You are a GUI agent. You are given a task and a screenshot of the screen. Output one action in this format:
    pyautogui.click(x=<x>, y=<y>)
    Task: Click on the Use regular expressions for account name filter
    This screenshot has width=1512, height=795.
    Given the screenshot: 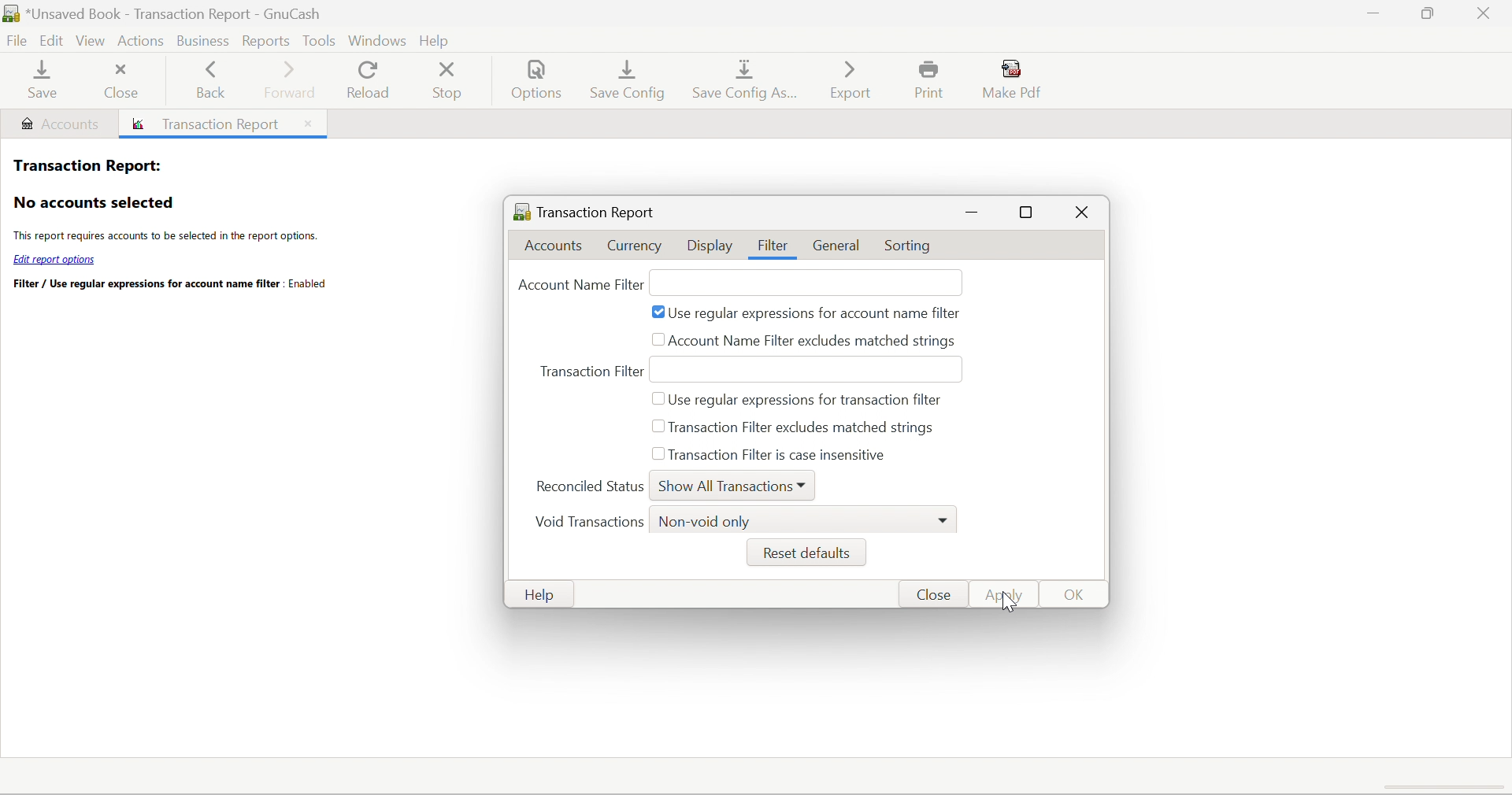 What is the action you would take?
    pyautogui.click(x=817, y=315)
    